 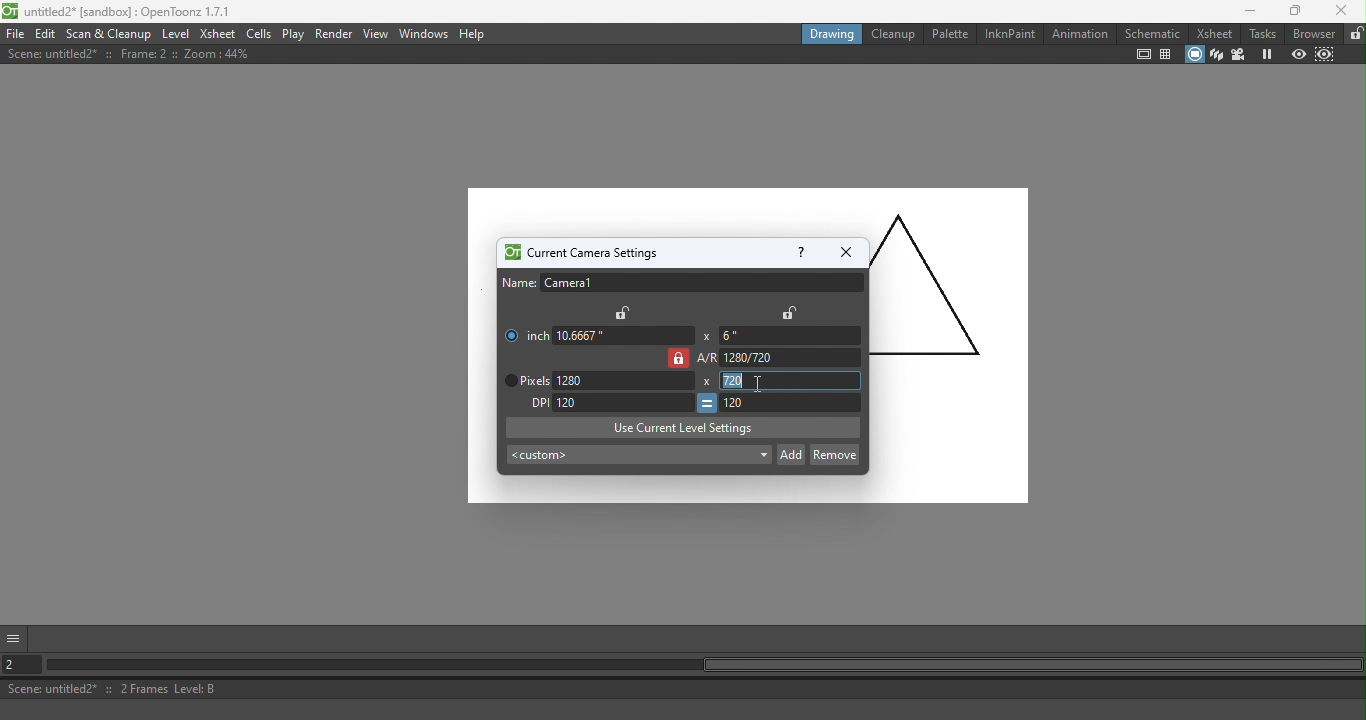 I want to click on Preview, so click(x=1297, y=54).